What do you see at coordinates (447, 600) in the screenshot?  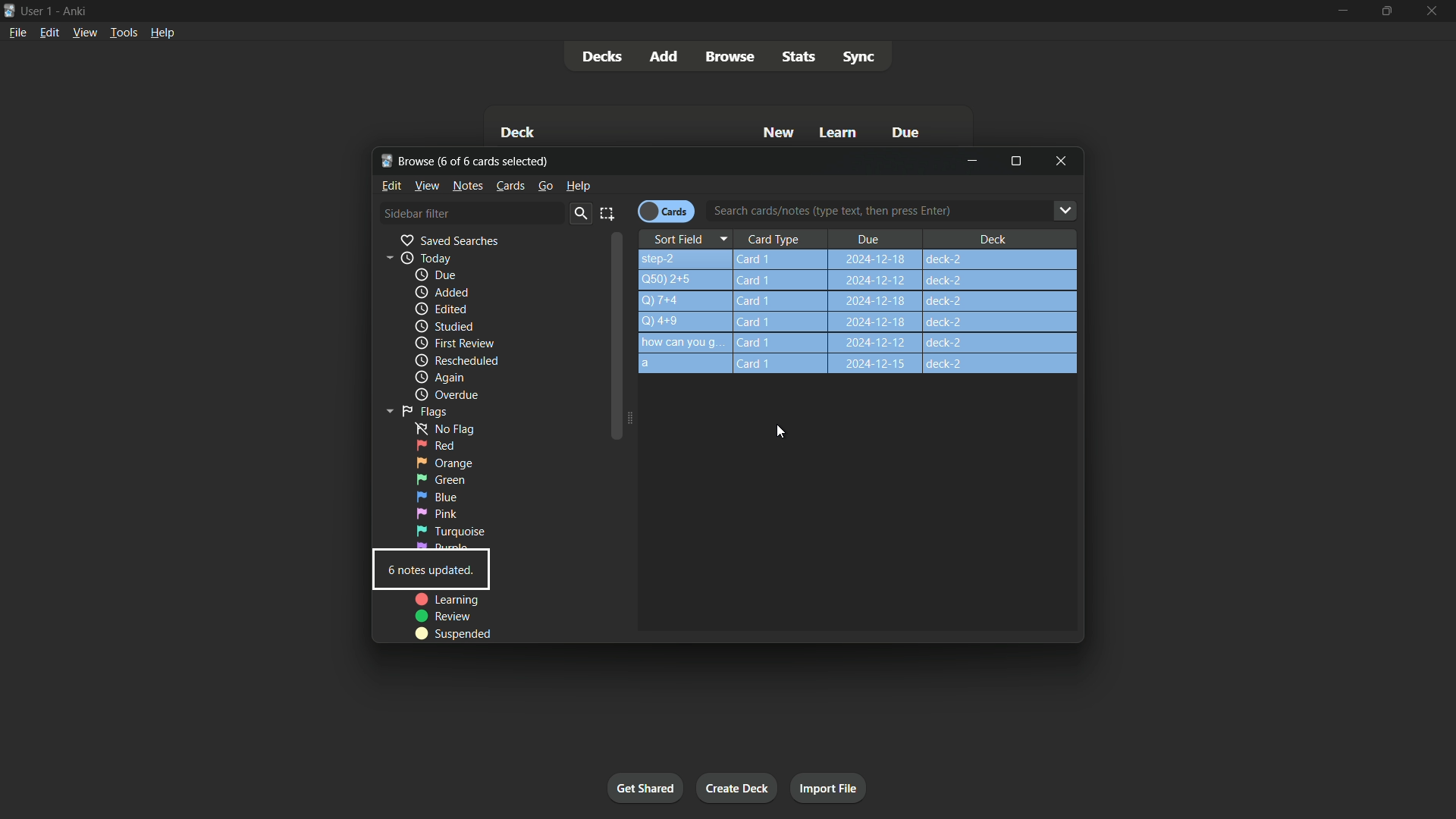 I see `Learning` at bounding box center [447, 600].